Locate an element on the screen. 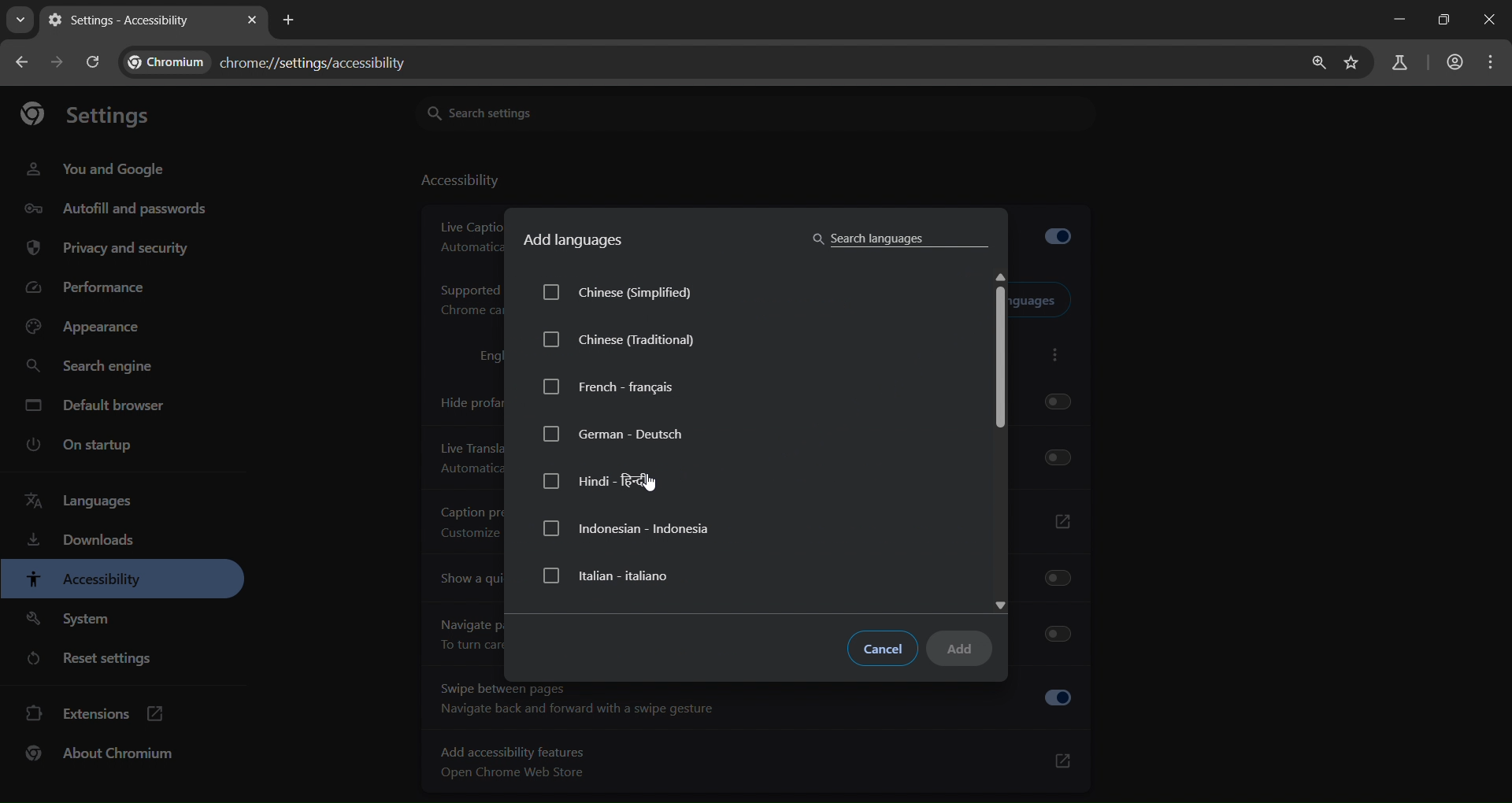  bookmark page is located at coordinates (1355, 62).